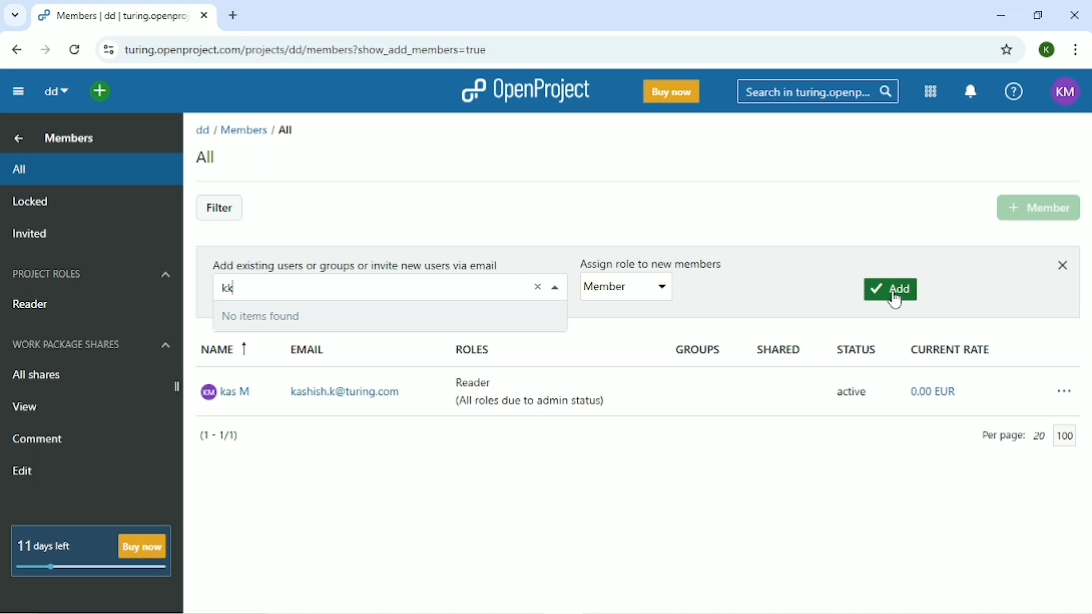 The height and width of the screenshot is (614, 1092). Describe the element at coordinates (219, 209) in the screenshot. I see `Filter` at that location.